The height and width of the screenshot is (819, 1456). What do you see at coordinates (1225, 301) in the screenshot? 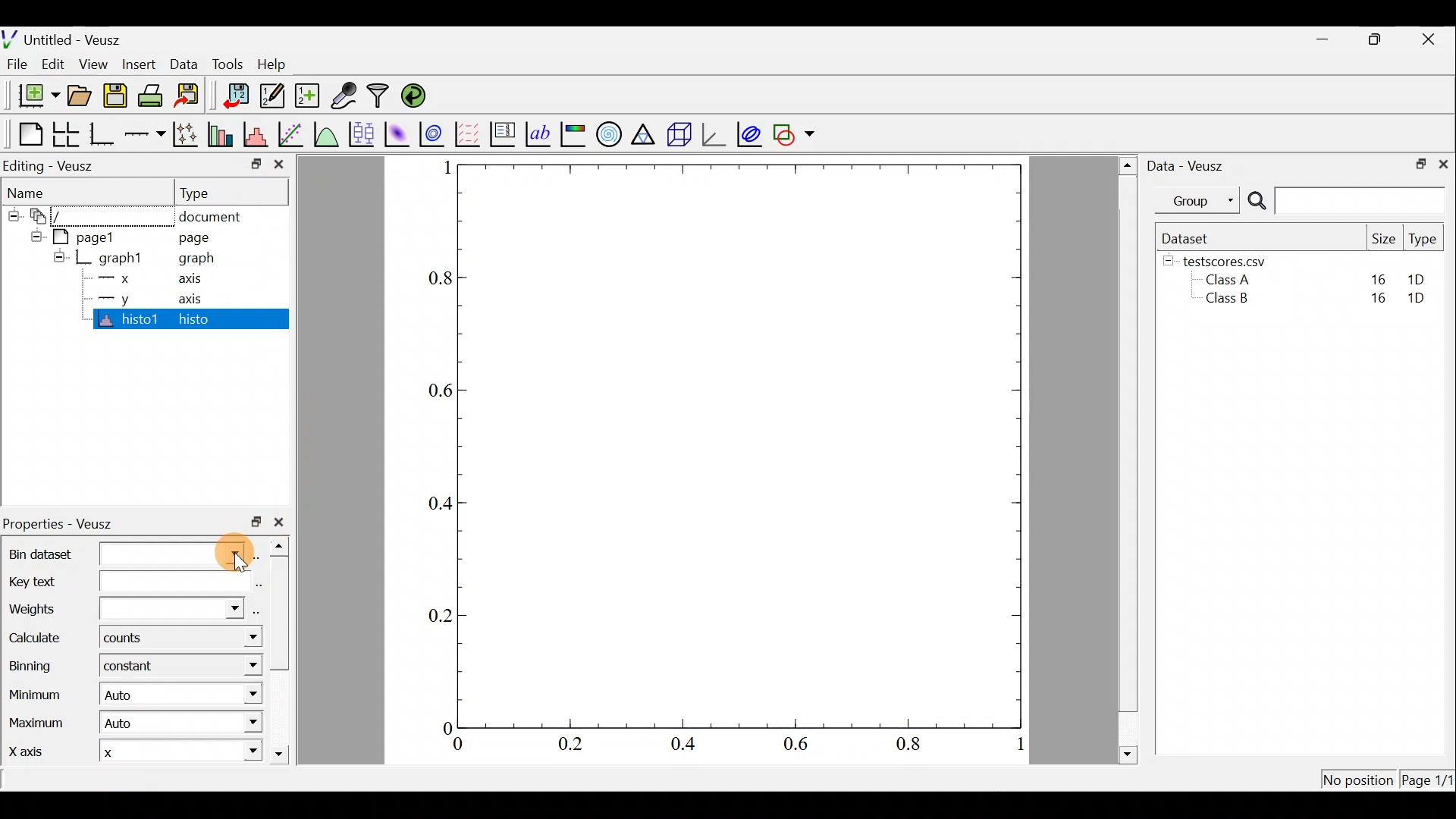
I see `Class B` at bounding box center [1225, 301].